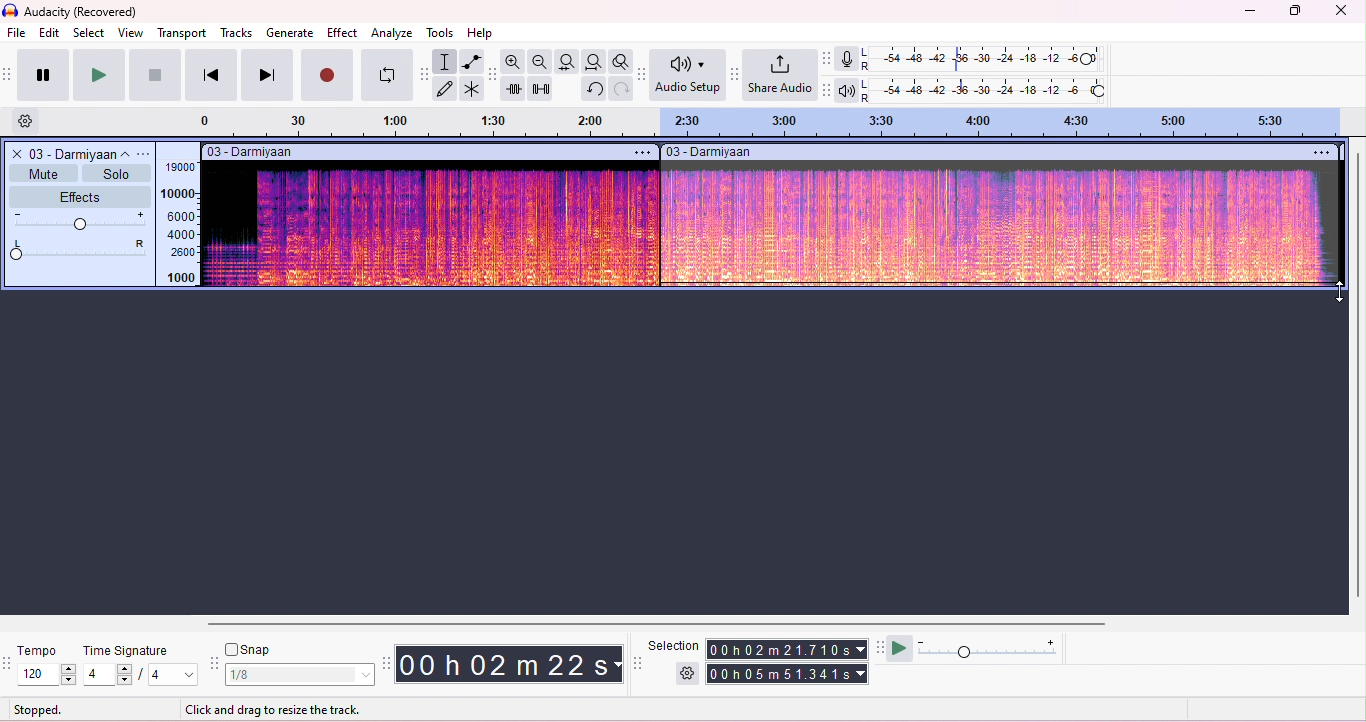 The height and width of the screenshot is (722, 1366). Describe the element at coordinates (470, 61) in the screenshot. I see `envelop` at that location.